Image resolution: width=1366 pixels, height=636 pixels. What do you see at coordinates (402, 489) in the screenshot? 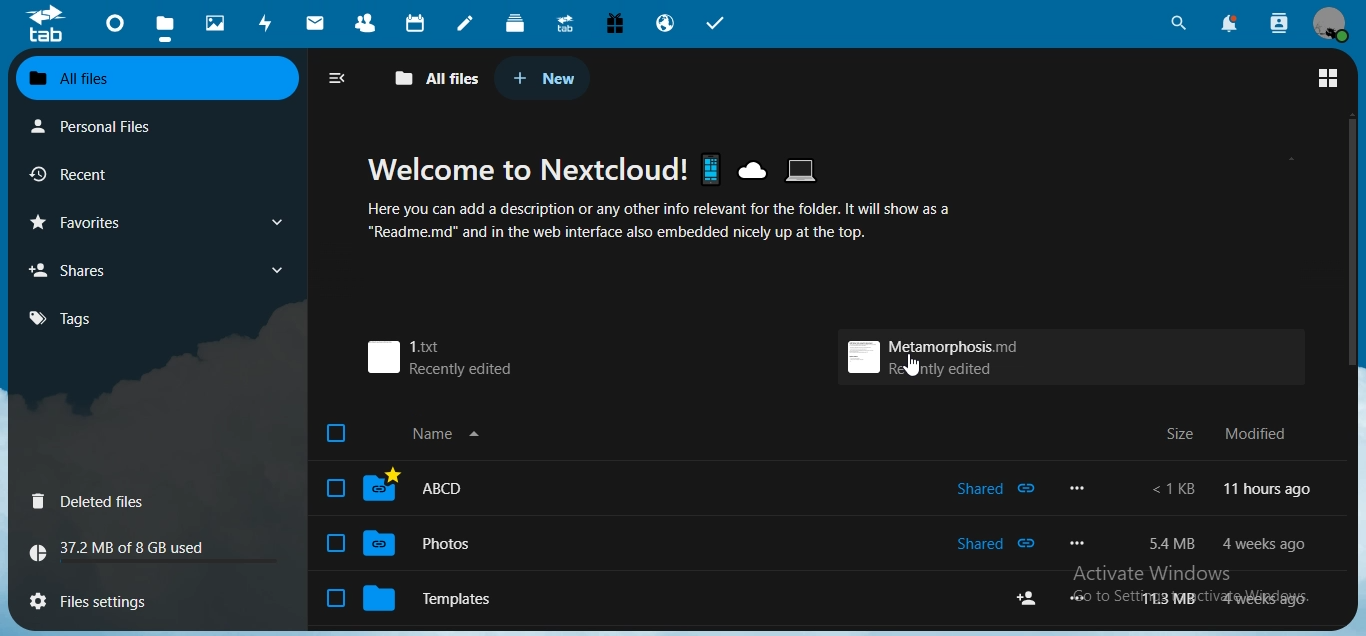
I see `ABCD` at bounding box center [402, 489].